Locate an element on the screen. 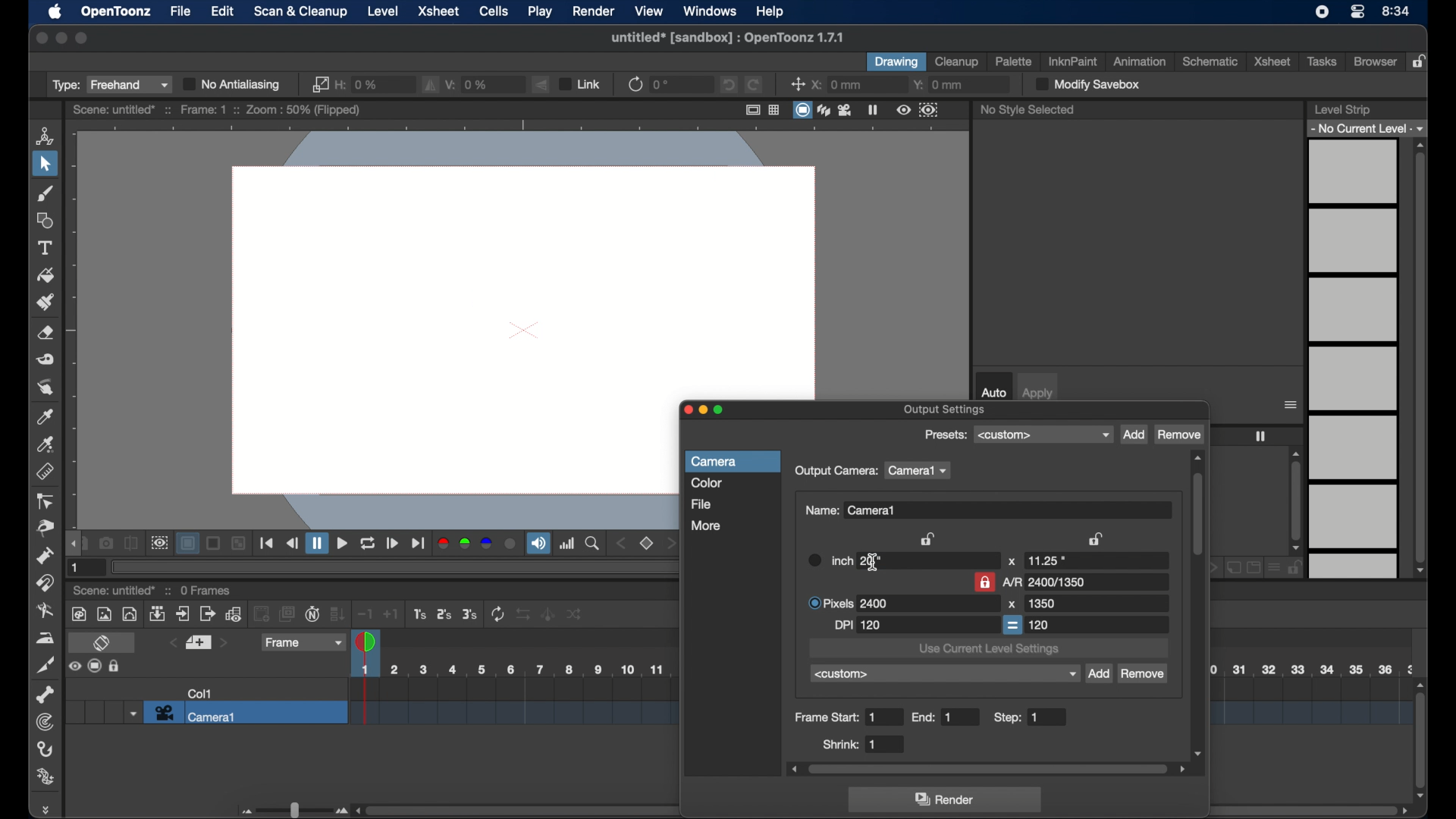 The width and height of the screenshot is (1456, 819). end is located at coordinates (934, 717).